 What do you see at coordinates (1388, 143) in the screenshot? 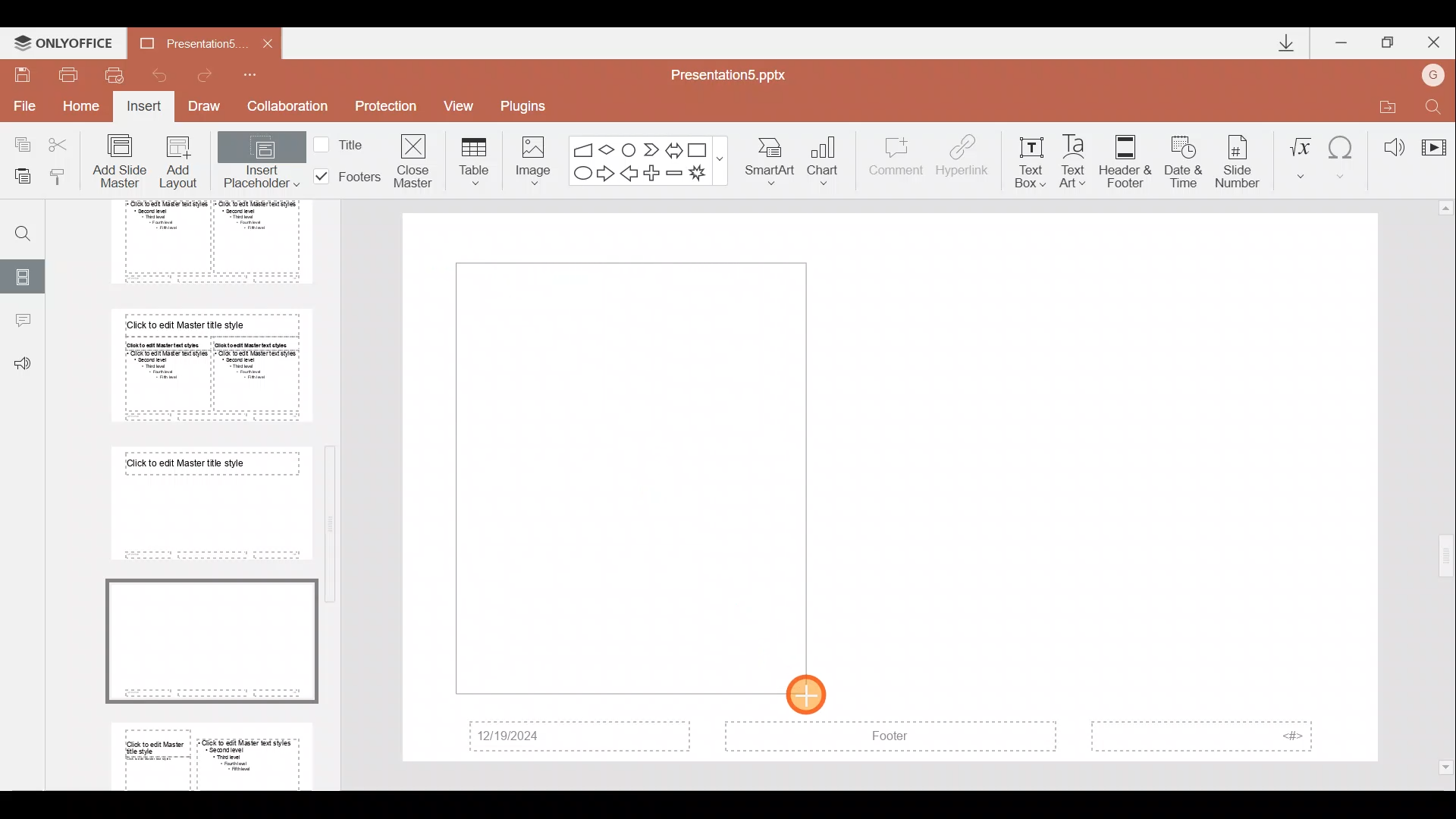
I see `Audio` at bounding box center [1388, 143].